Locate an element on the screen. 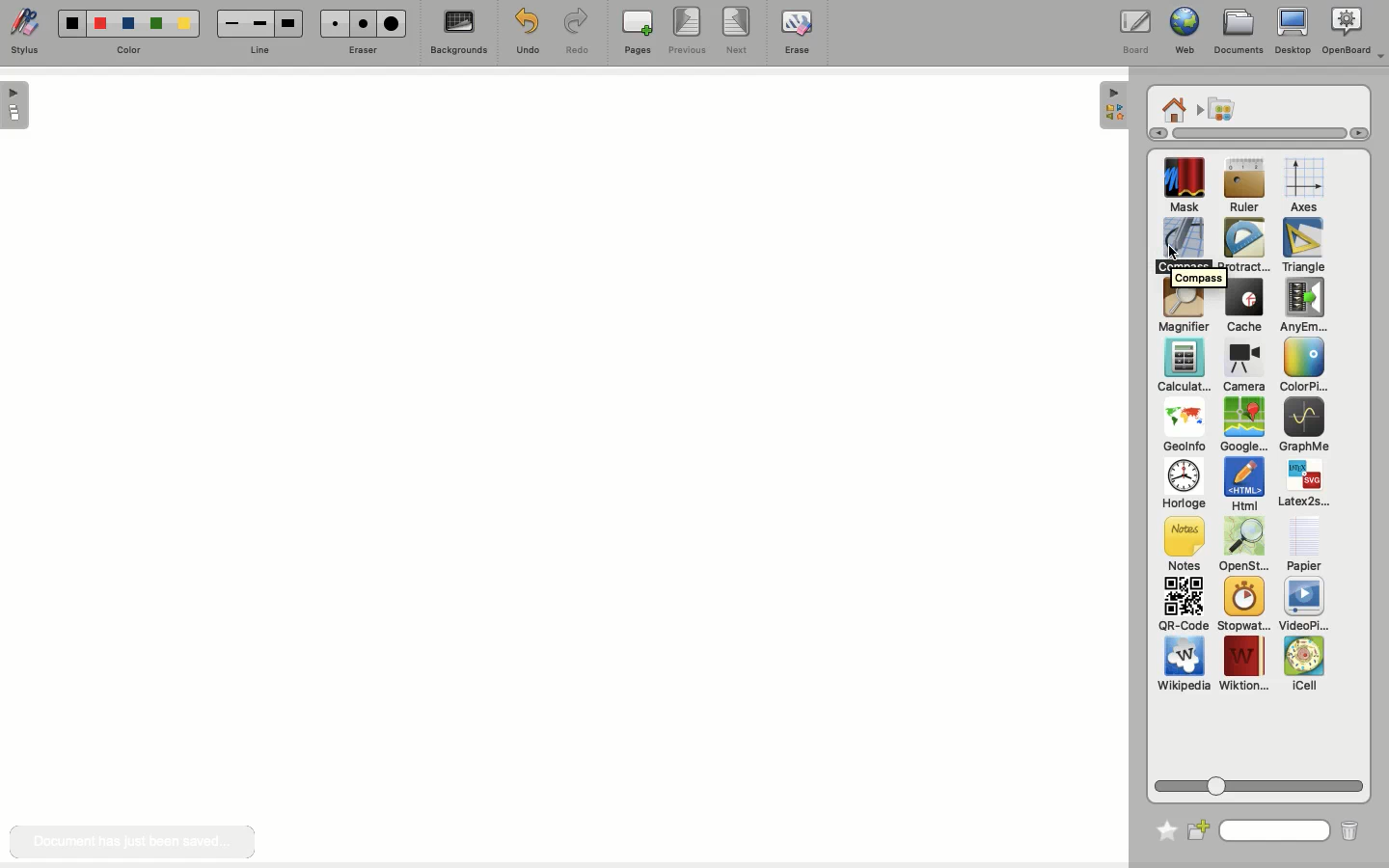 This screenshot has height=868, width=1389. Backgrounds is located at coordinates (456, 35).